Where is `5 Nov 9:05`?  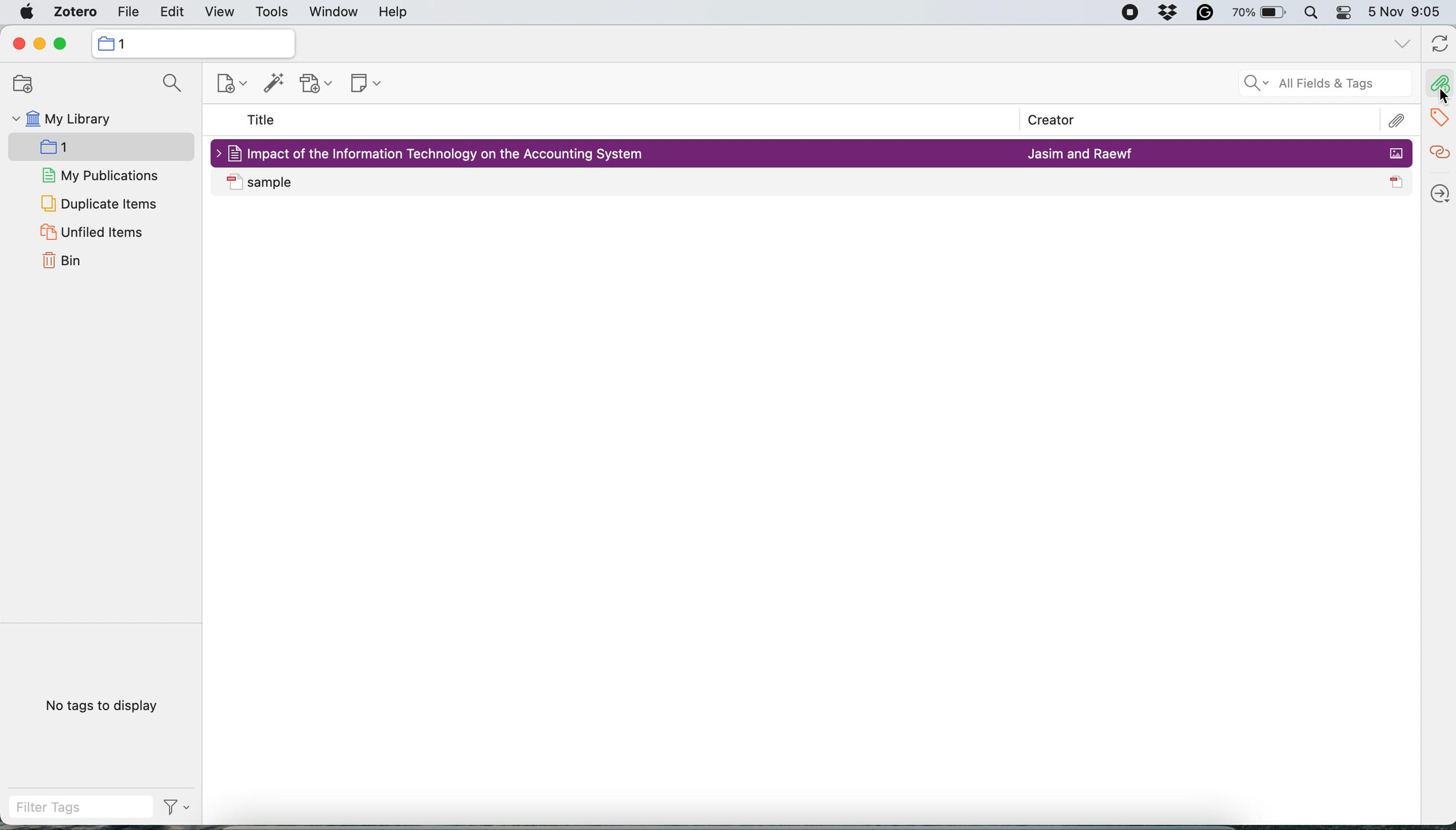
5 Nov 9:05 is located at coordinates (1408, 13).